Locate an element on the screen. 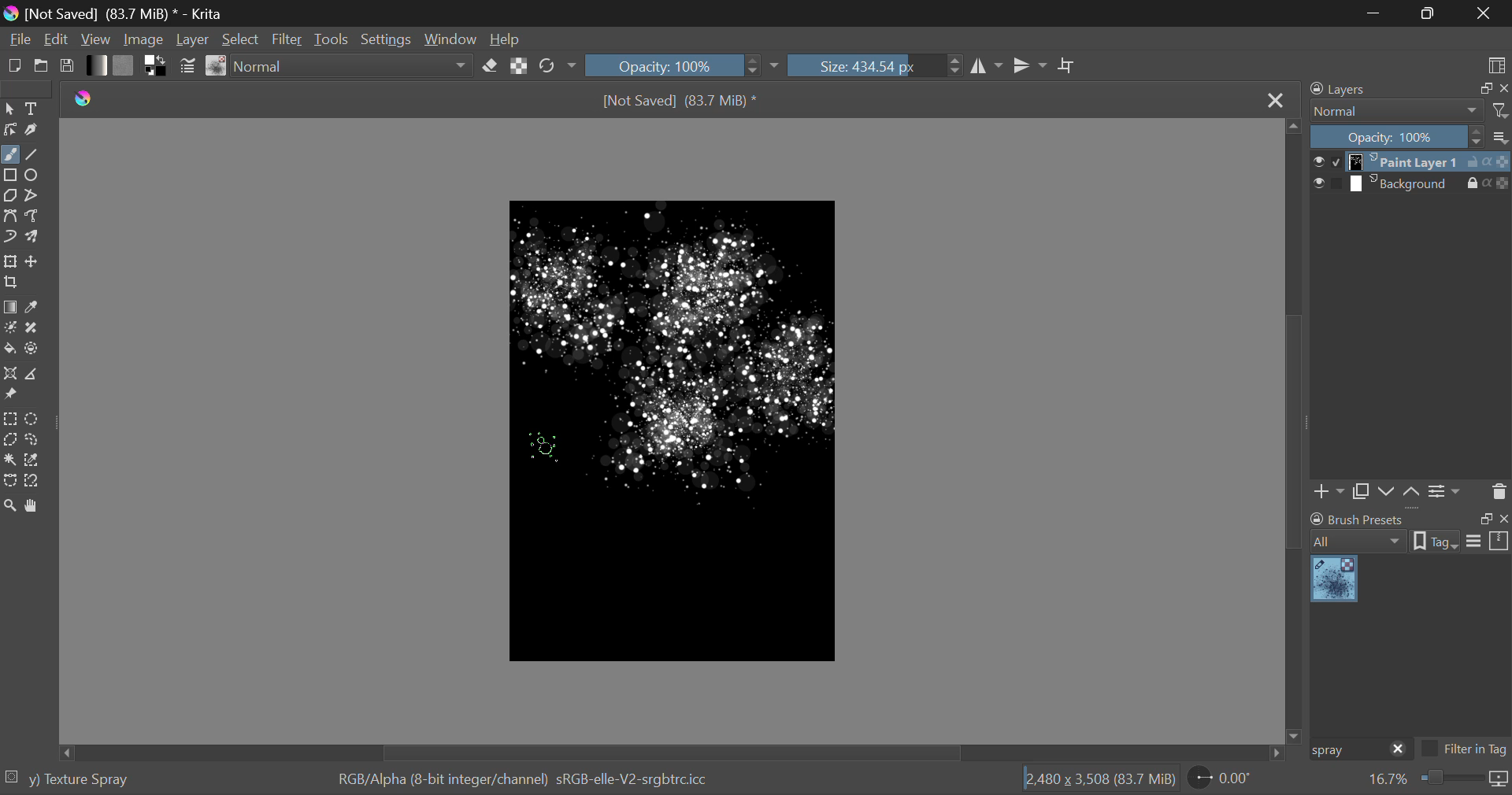 Image resolution: width=1512 pixels, height=795 pixels. Continuous Fill is located at coordinates (9, 458).